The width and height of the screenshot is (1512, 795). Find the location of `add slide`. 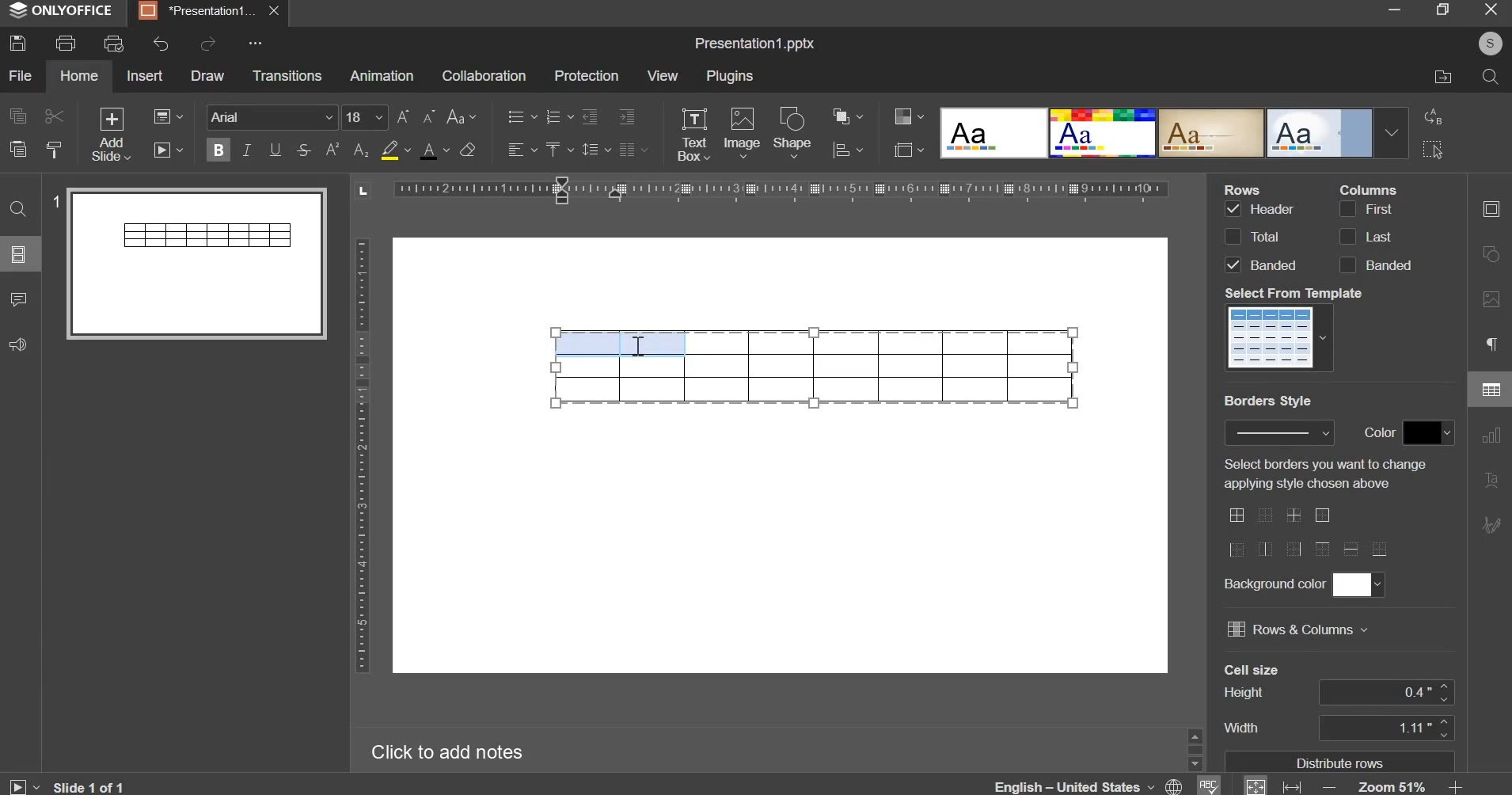

add slide is located at coordinates (112, 135).